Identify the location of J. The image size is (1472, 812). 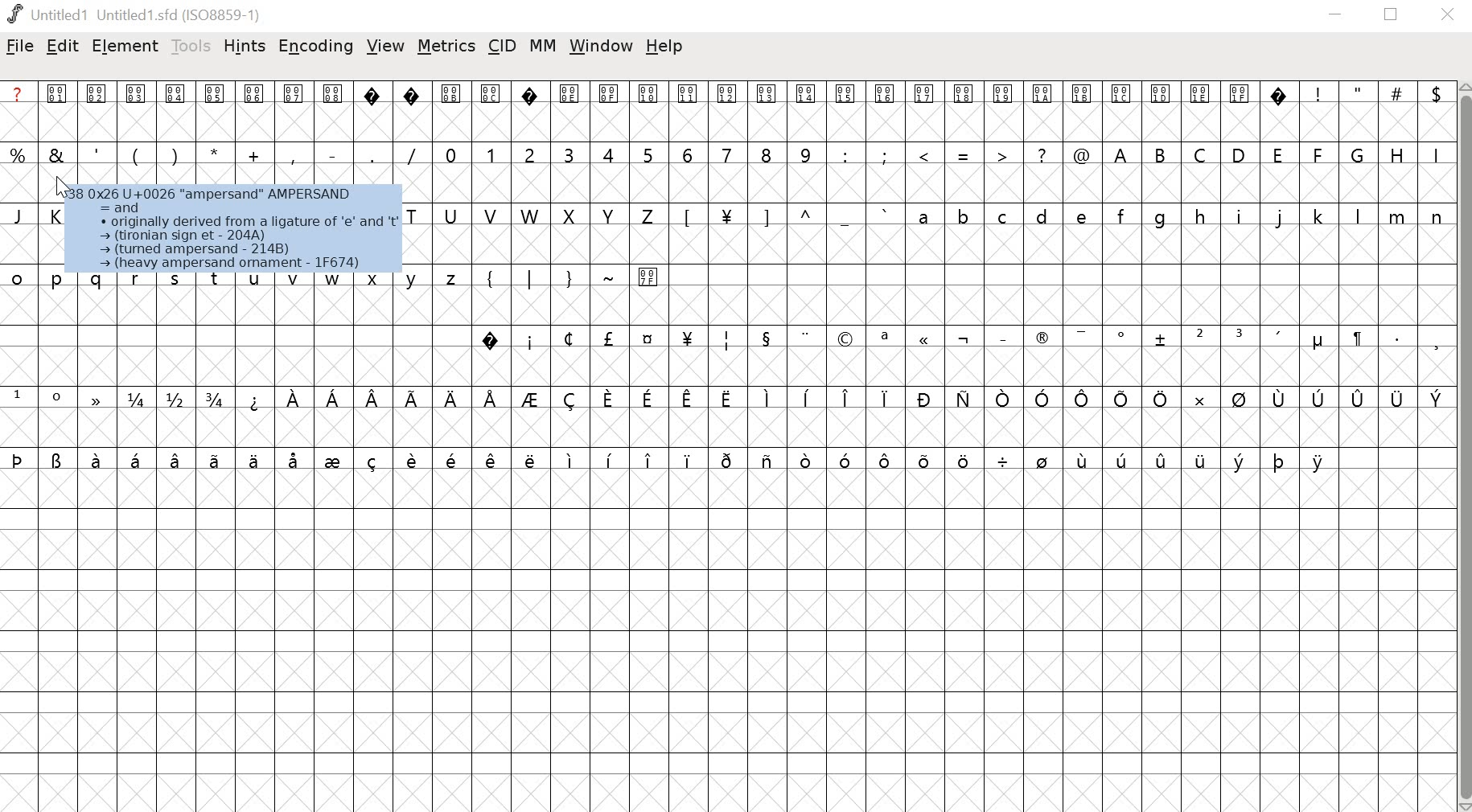
(19, 215).